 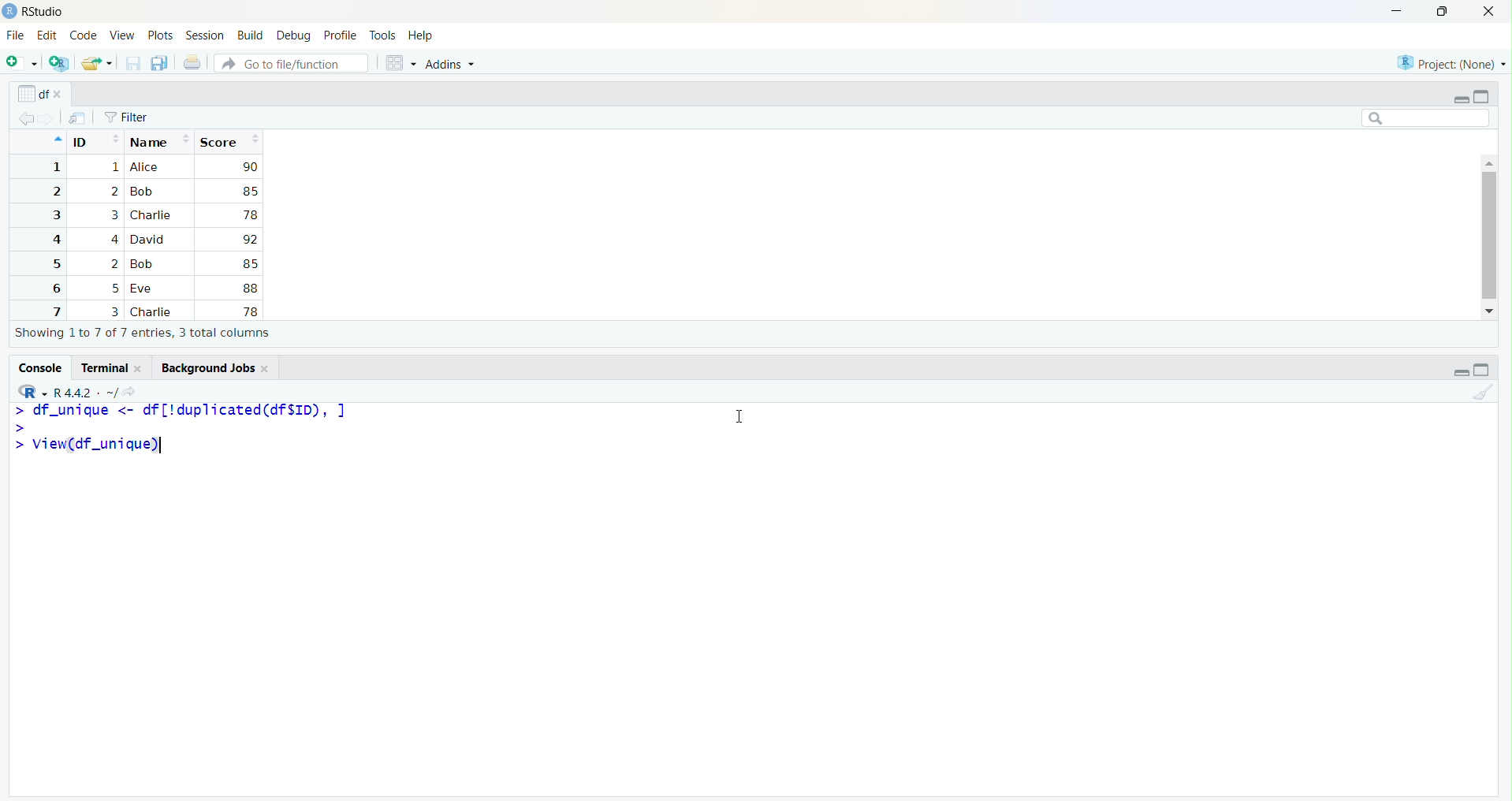 What do you see at coordinates (97, 64) in the screenshot?
I see `open file` at bounding box center [97, 64].